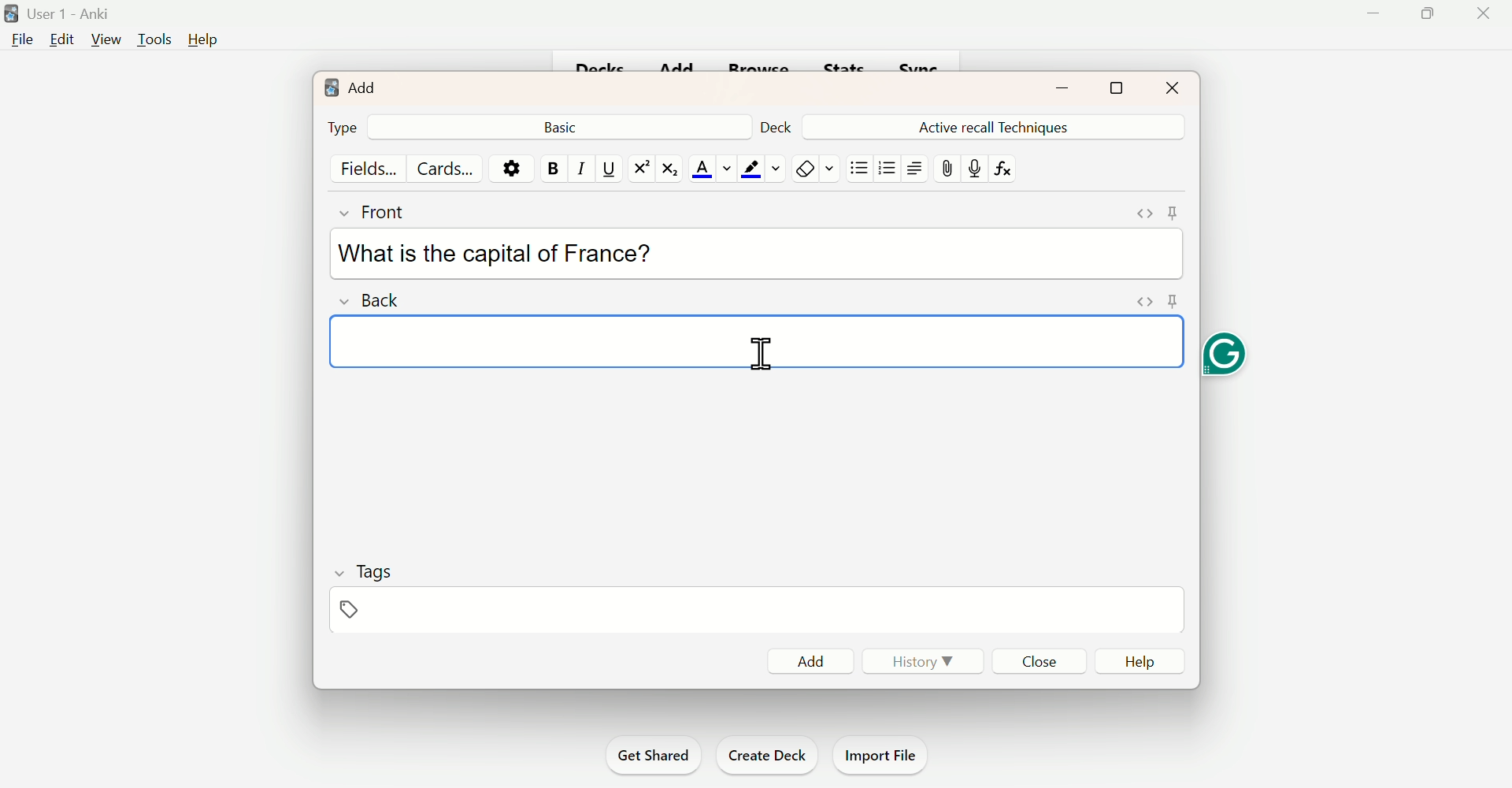 The image size is (1512, 788). What do you see at coordinates (395, 210) in the screenshot?
I see `Front` at bounding box center [395, 210].